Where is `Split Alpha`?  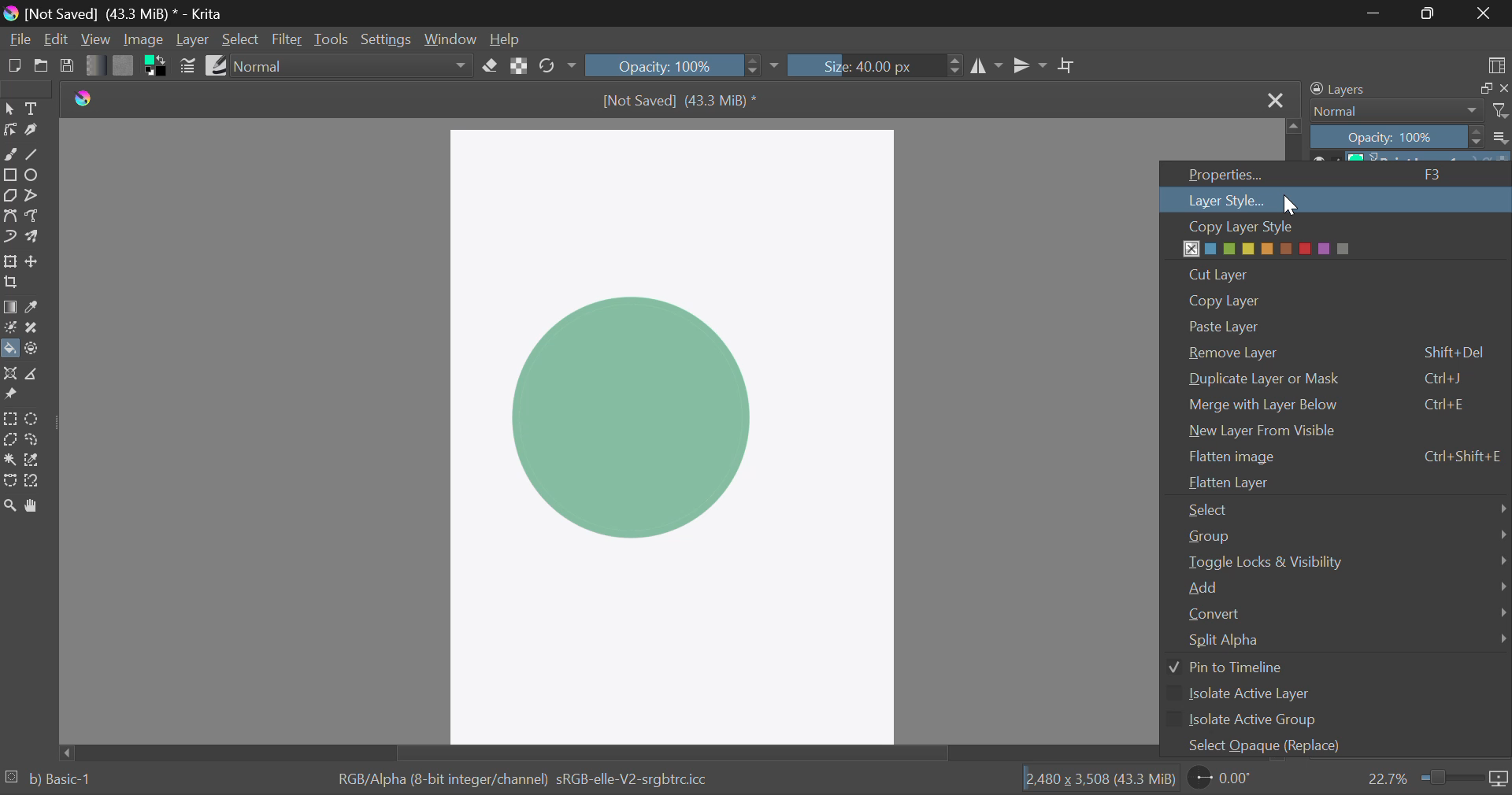 Split Alpha is located at coordinates (1342, 639).